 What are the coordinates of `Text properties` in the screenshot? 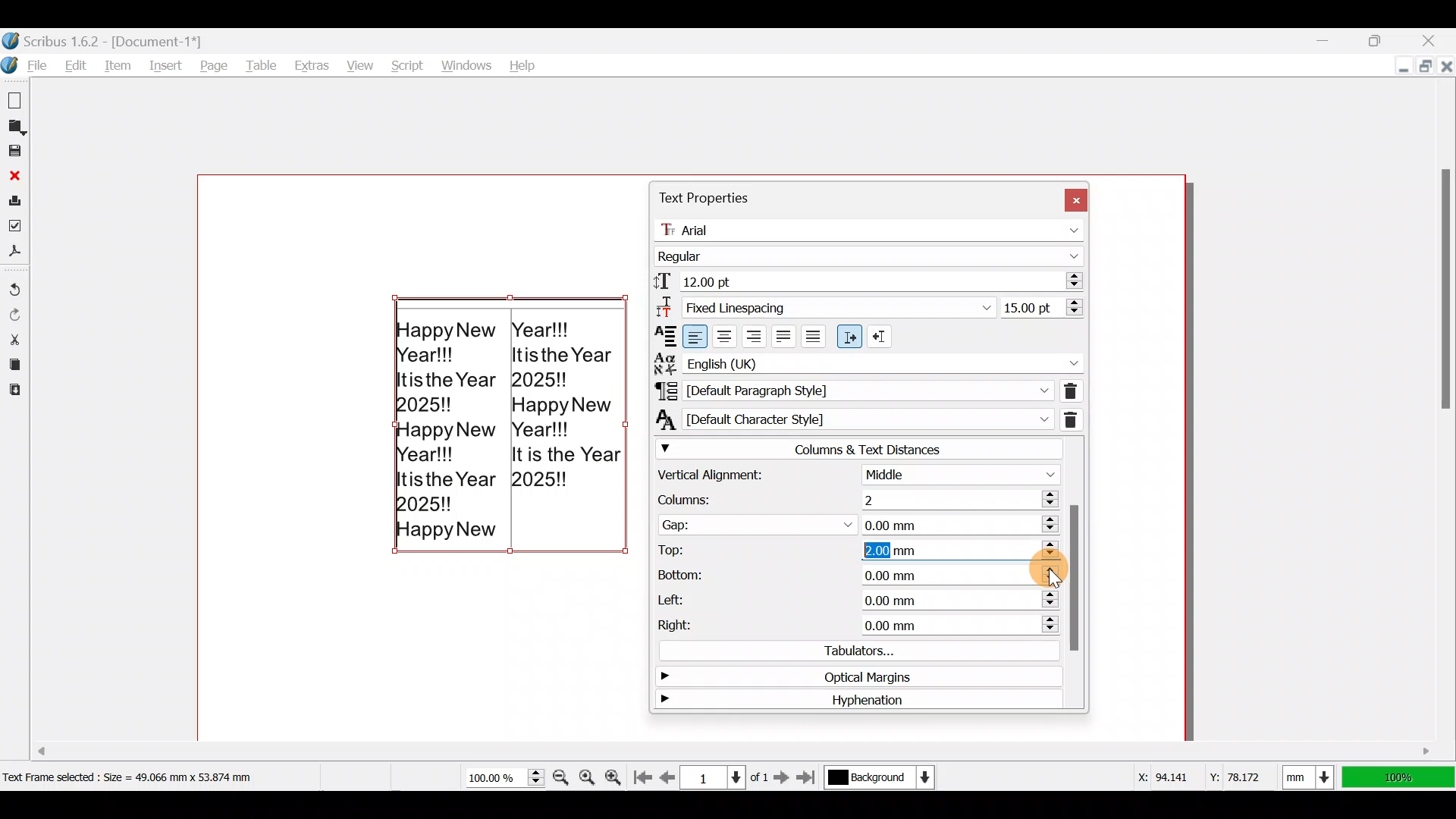 It's located at (704, 198).